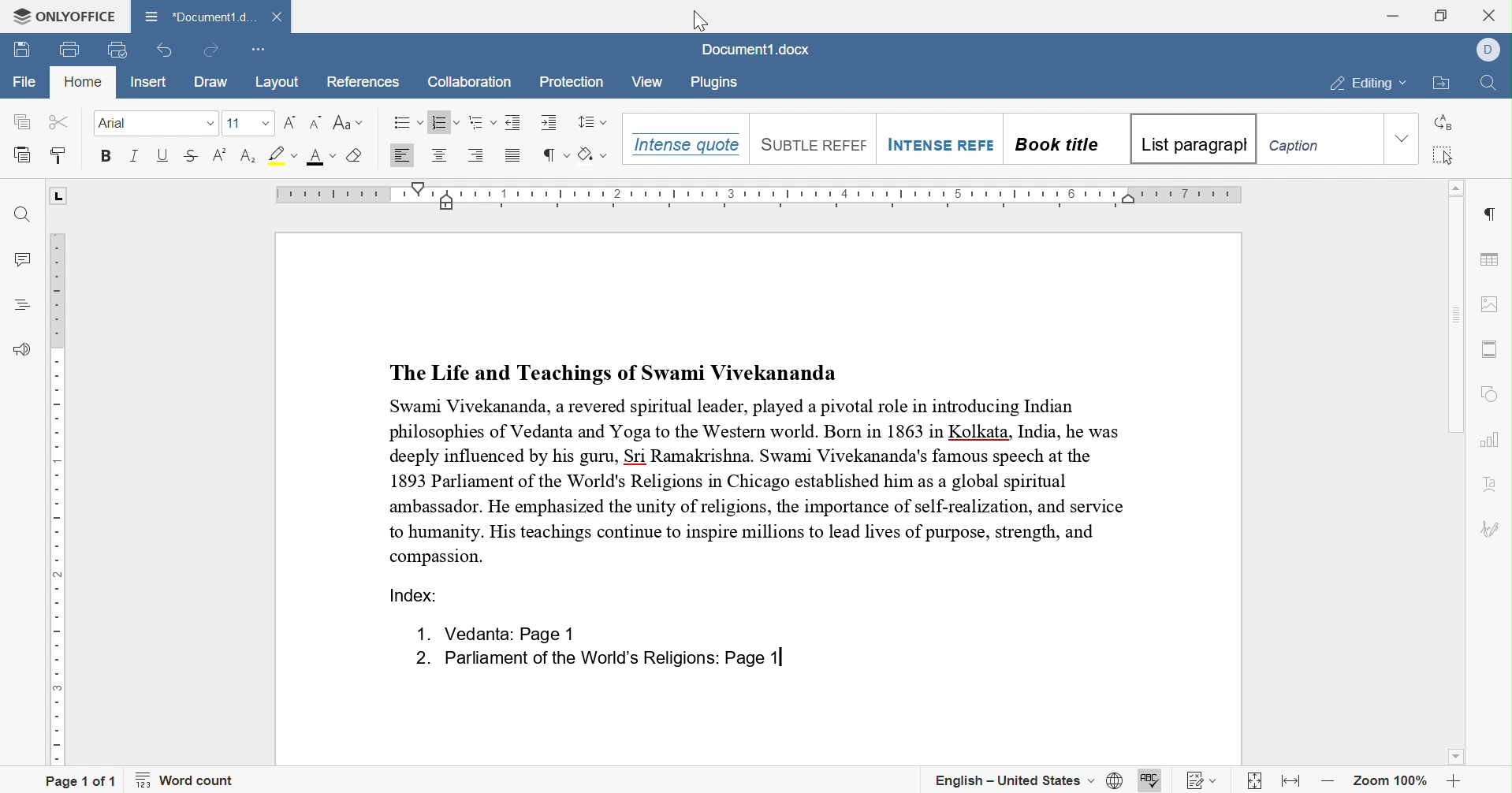  What do you see at coordinates (117, 123) in the screenshot?
I see `arial` at bounding box center [117, 123].